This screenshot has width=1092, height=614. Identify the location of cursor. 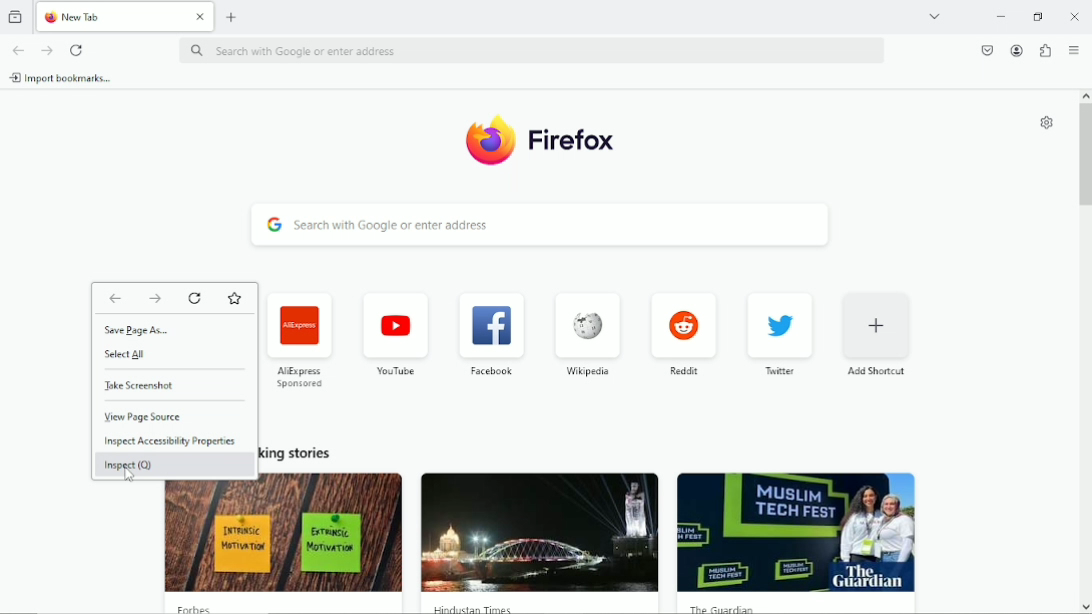
(127, 479).